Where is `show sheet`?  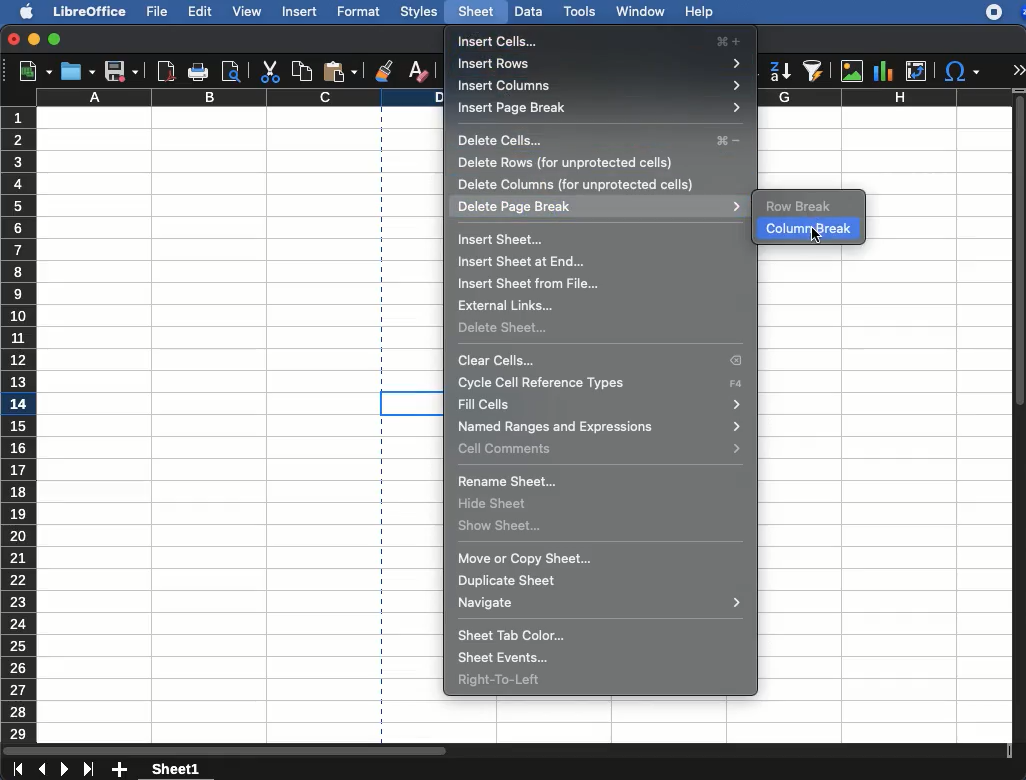
show sheet is located at coordinates (501, 526).